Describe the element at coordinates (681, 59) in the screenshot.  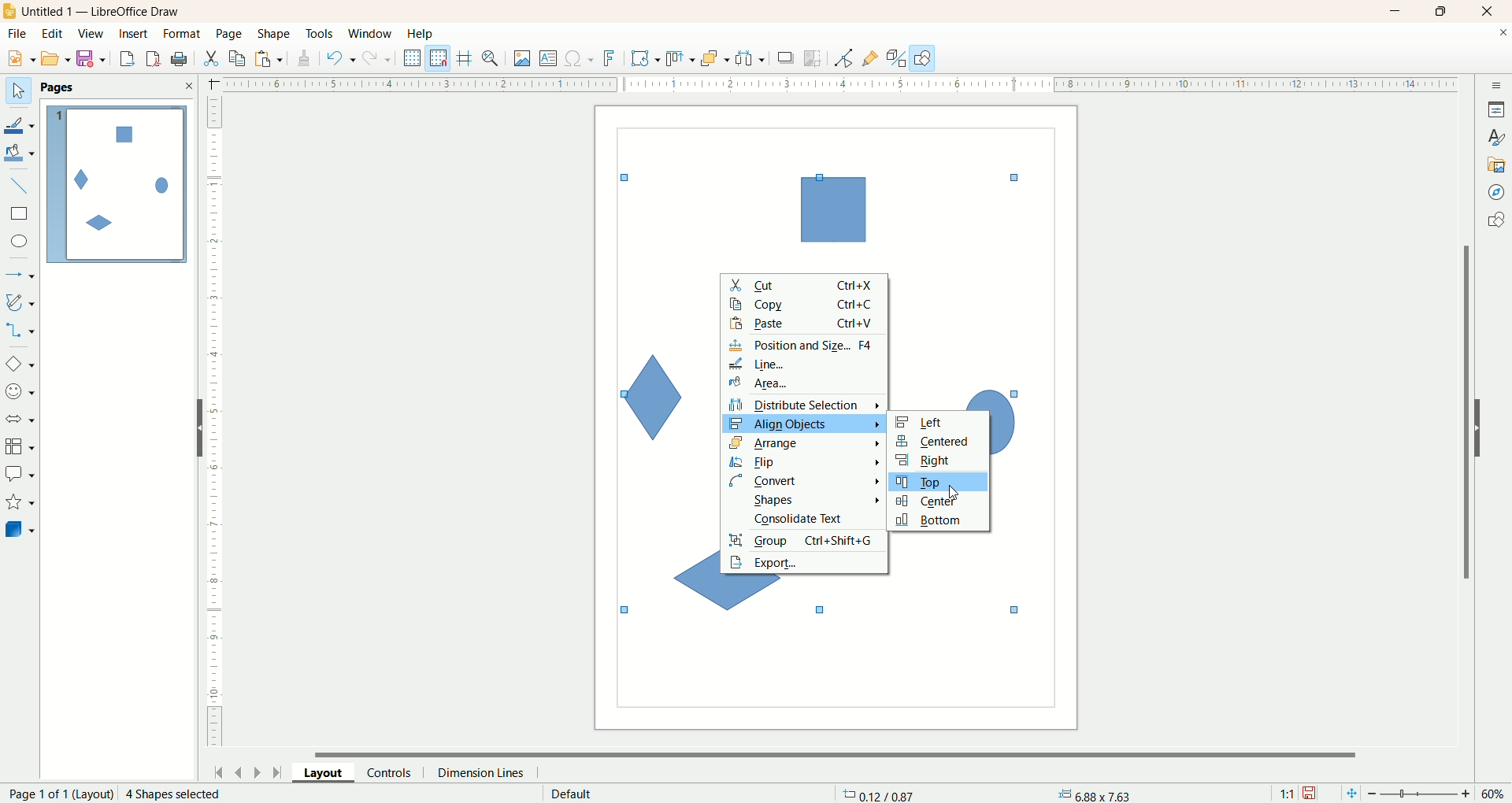
I see `allign object` at that location.